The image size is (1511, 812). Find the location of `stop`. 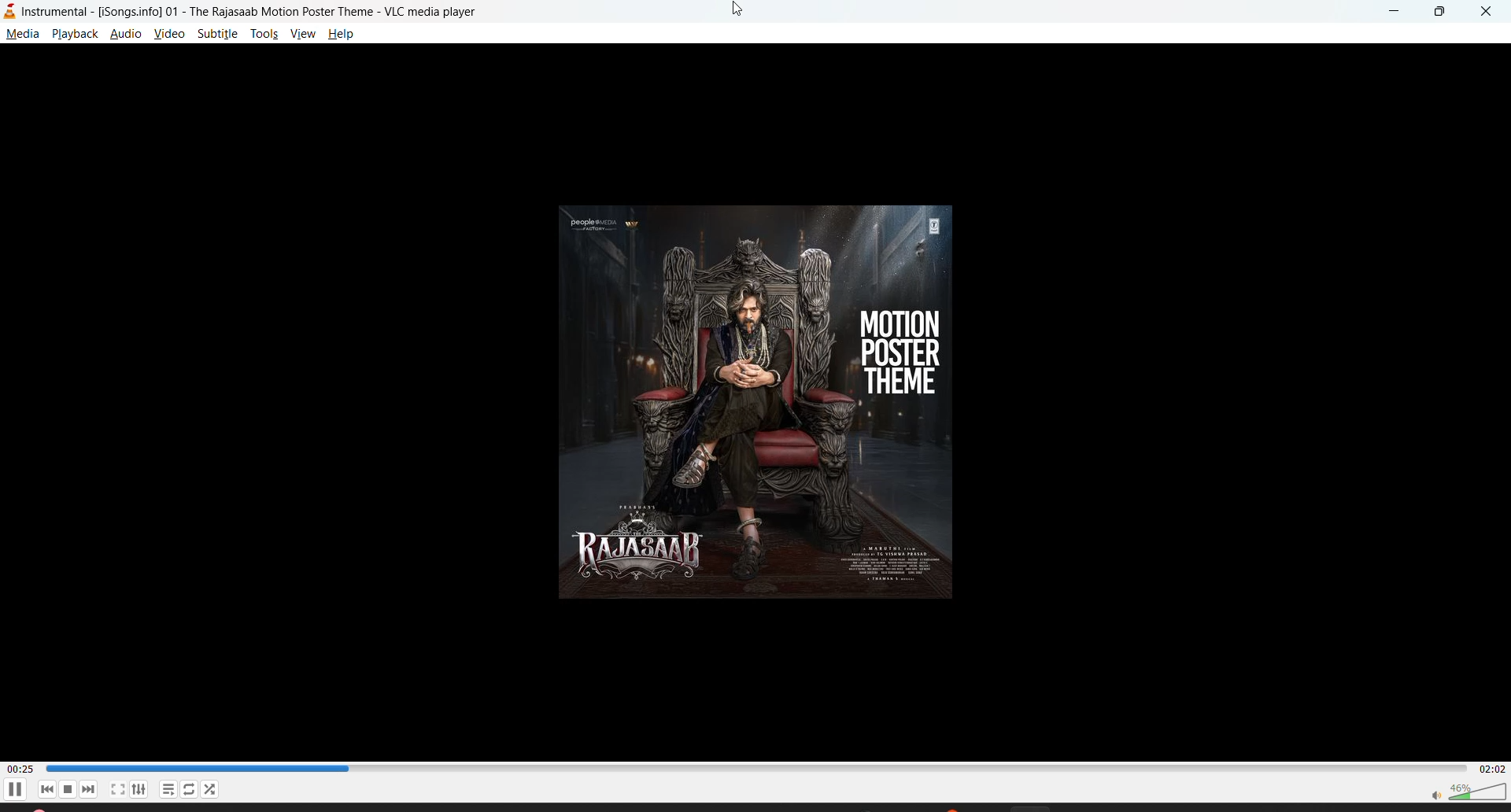

stop is located at coordinates (68, 789).